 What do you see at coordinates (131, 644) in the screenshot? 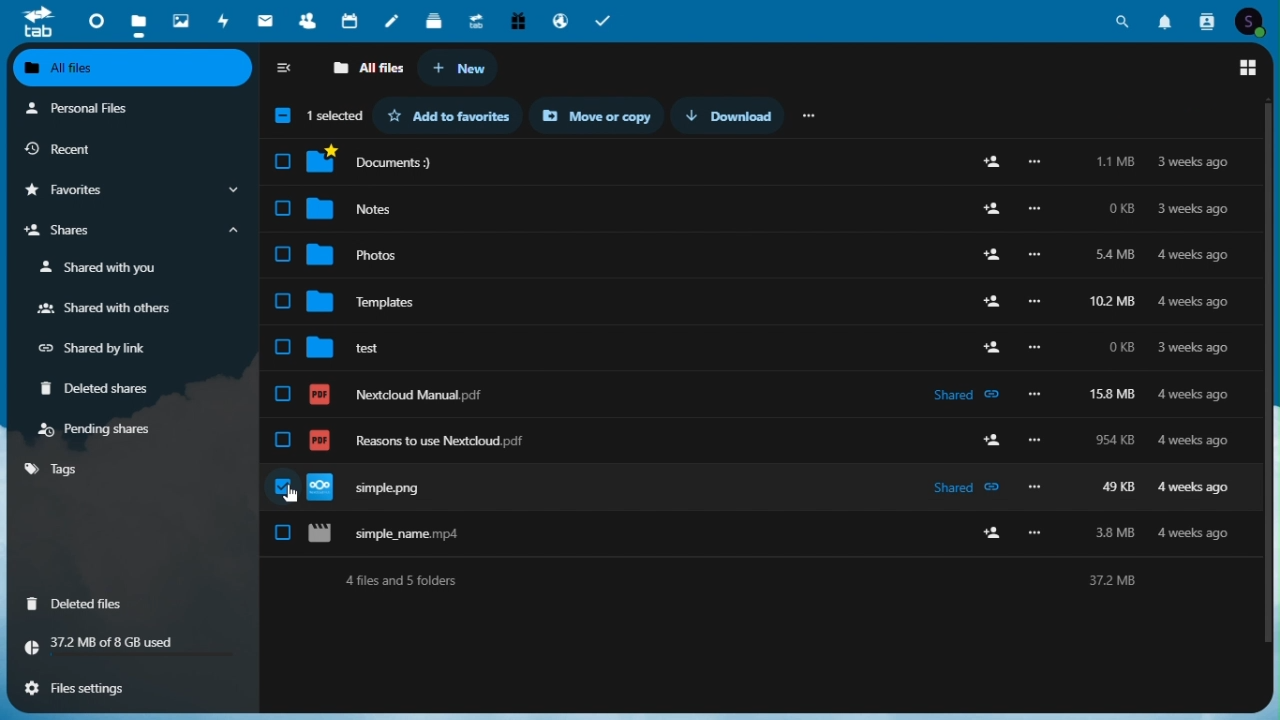
I see `37.2 MB of 8 GB Total` at bounding box center [131, 644].